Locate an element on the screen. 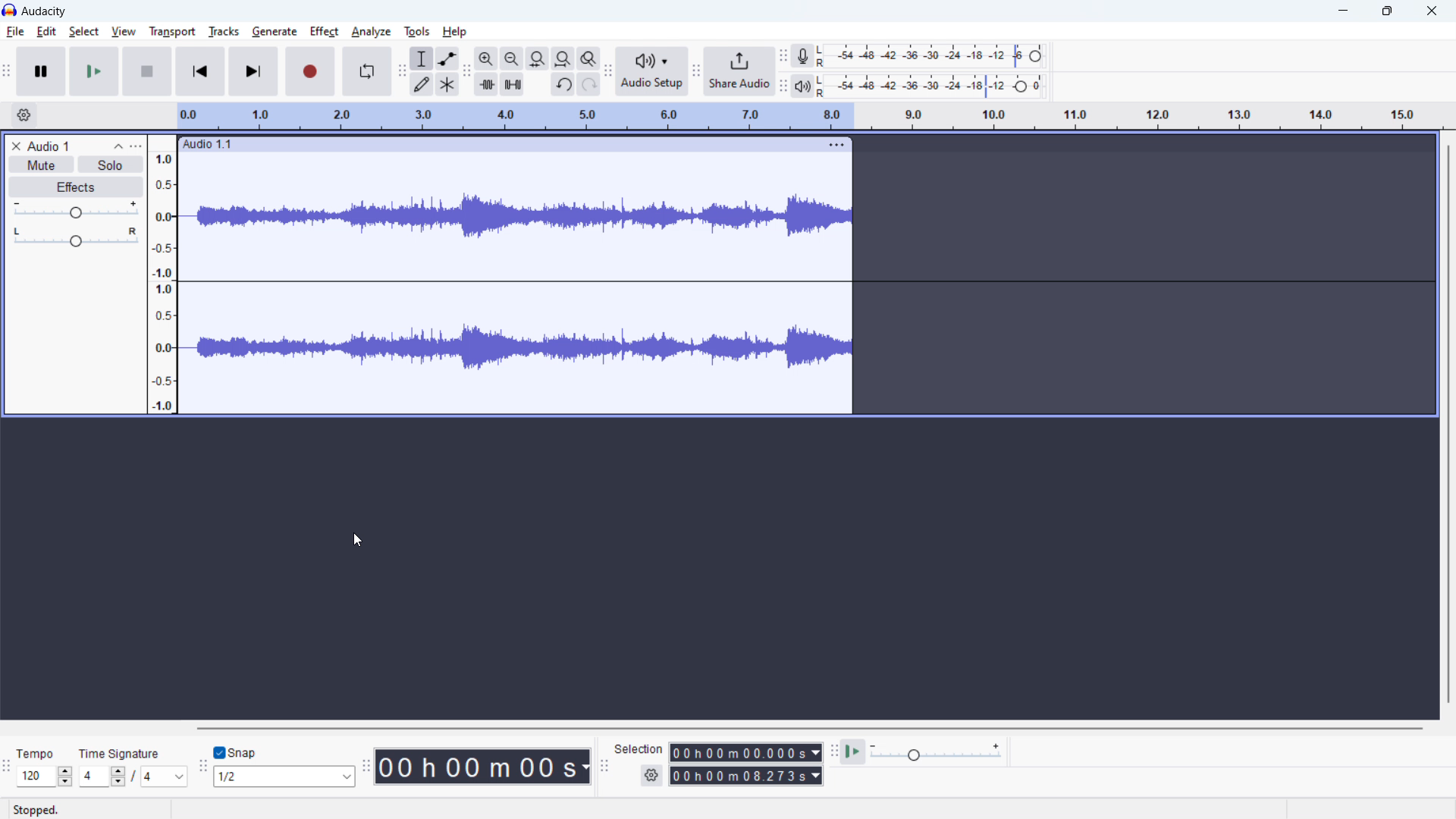 This screenshot has width=1456, height=819. snapping toolbar is located at coordinates (201, 765).